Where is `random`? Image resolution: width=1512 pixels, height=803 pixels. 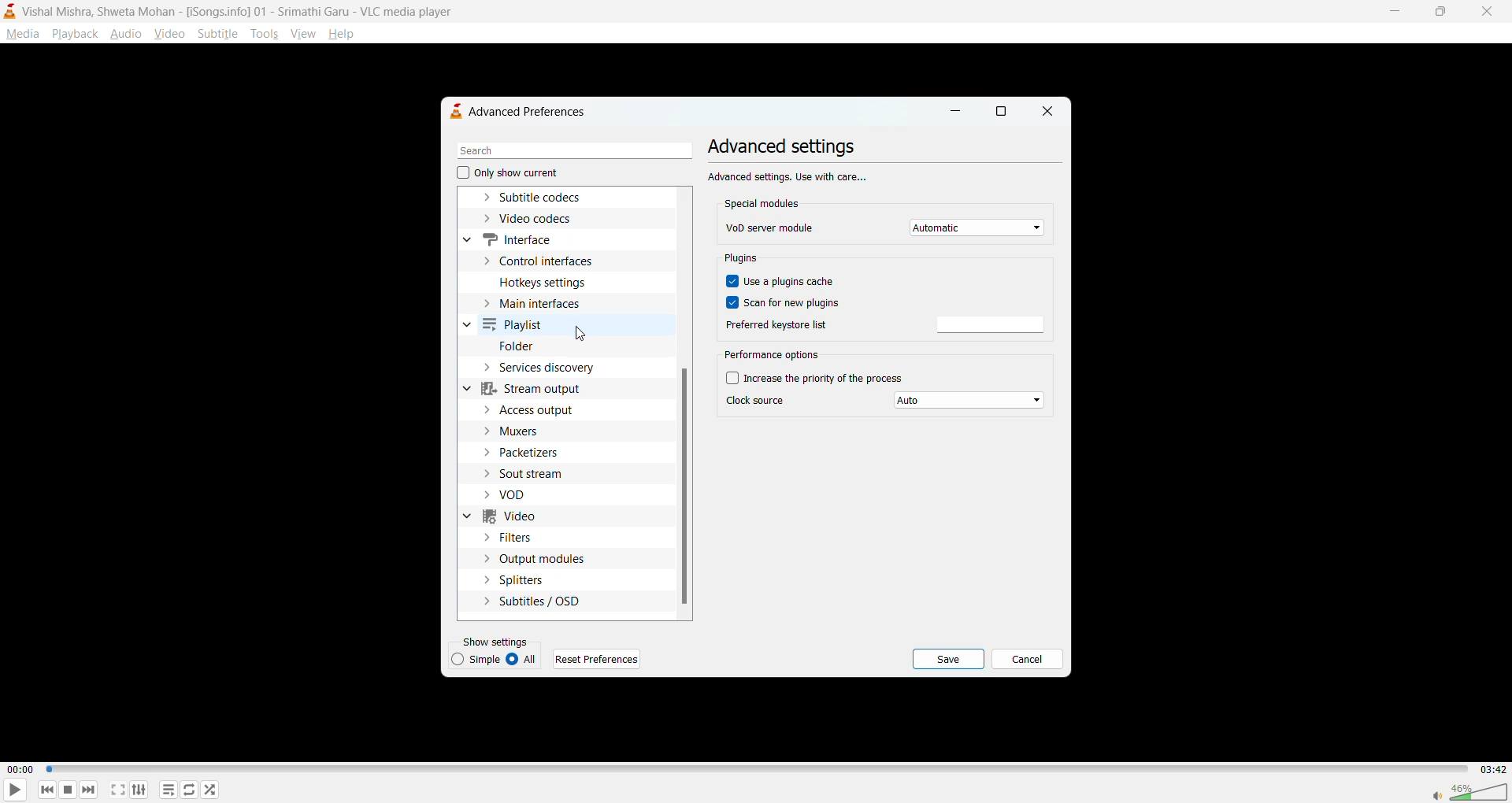
random is located at coordinates (210, 789).